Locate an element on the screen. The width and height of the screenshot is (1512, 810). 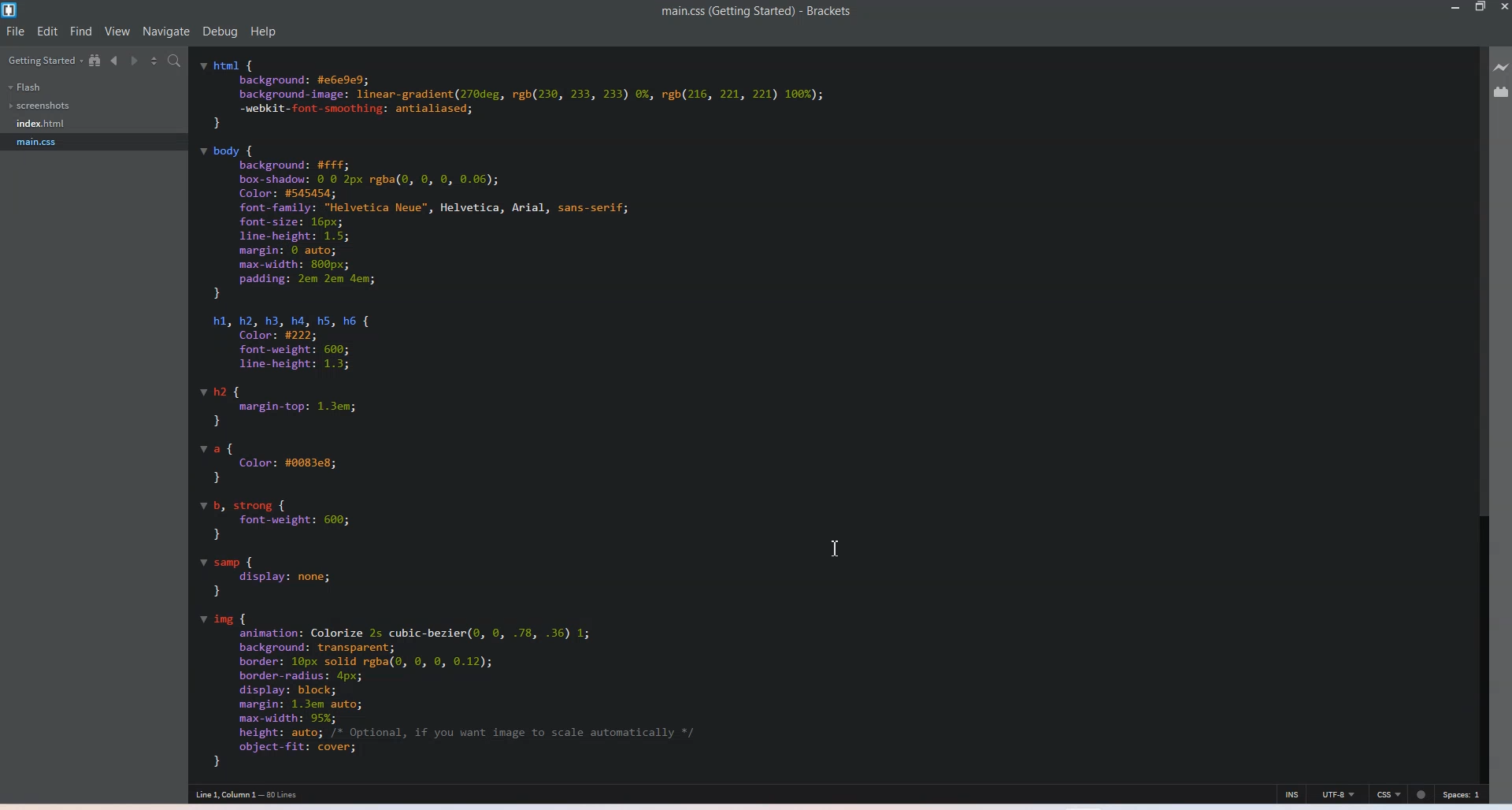
Help is located at coordinates (264, 32).